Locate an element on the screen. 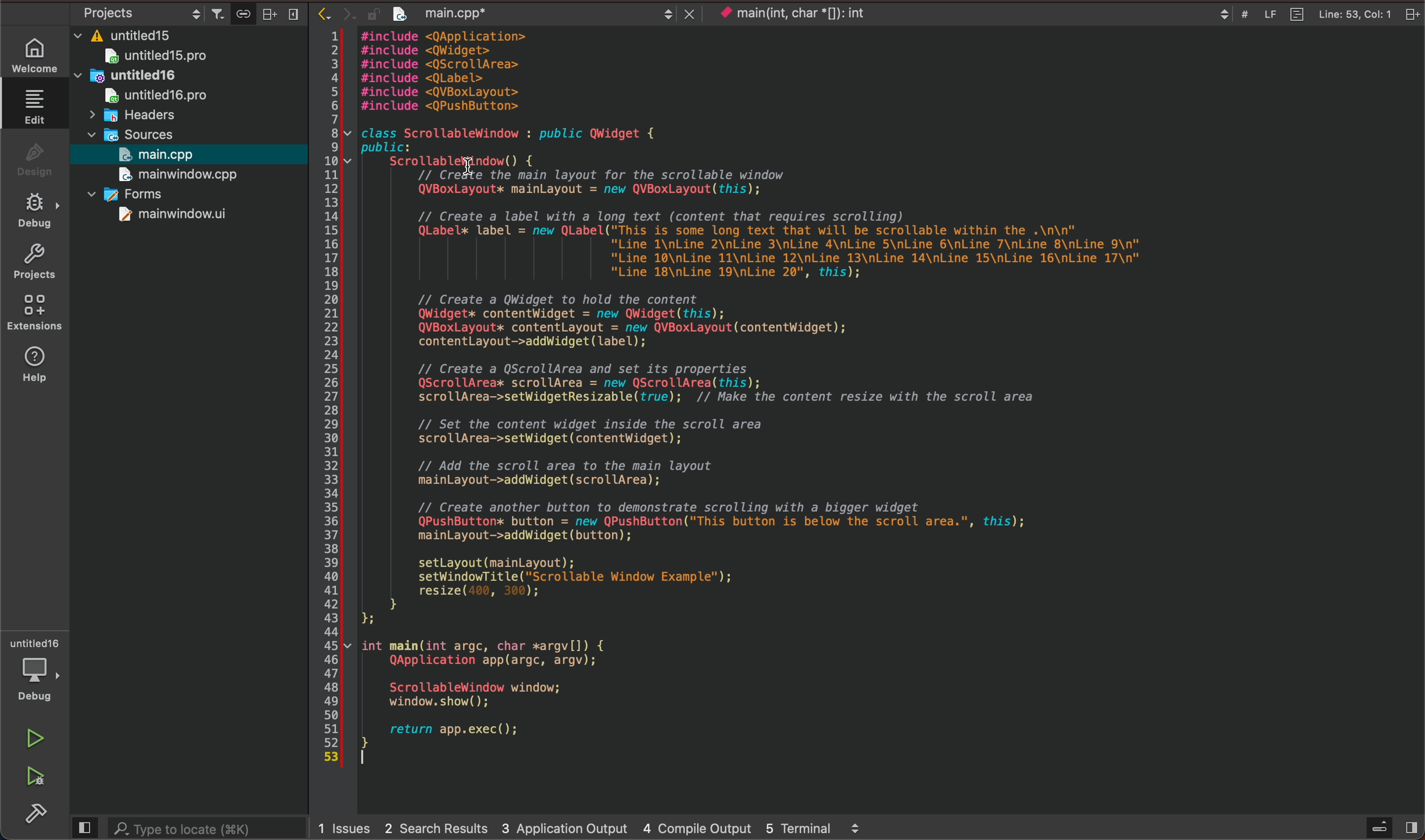  arrows is located at coordinates (343, 12).